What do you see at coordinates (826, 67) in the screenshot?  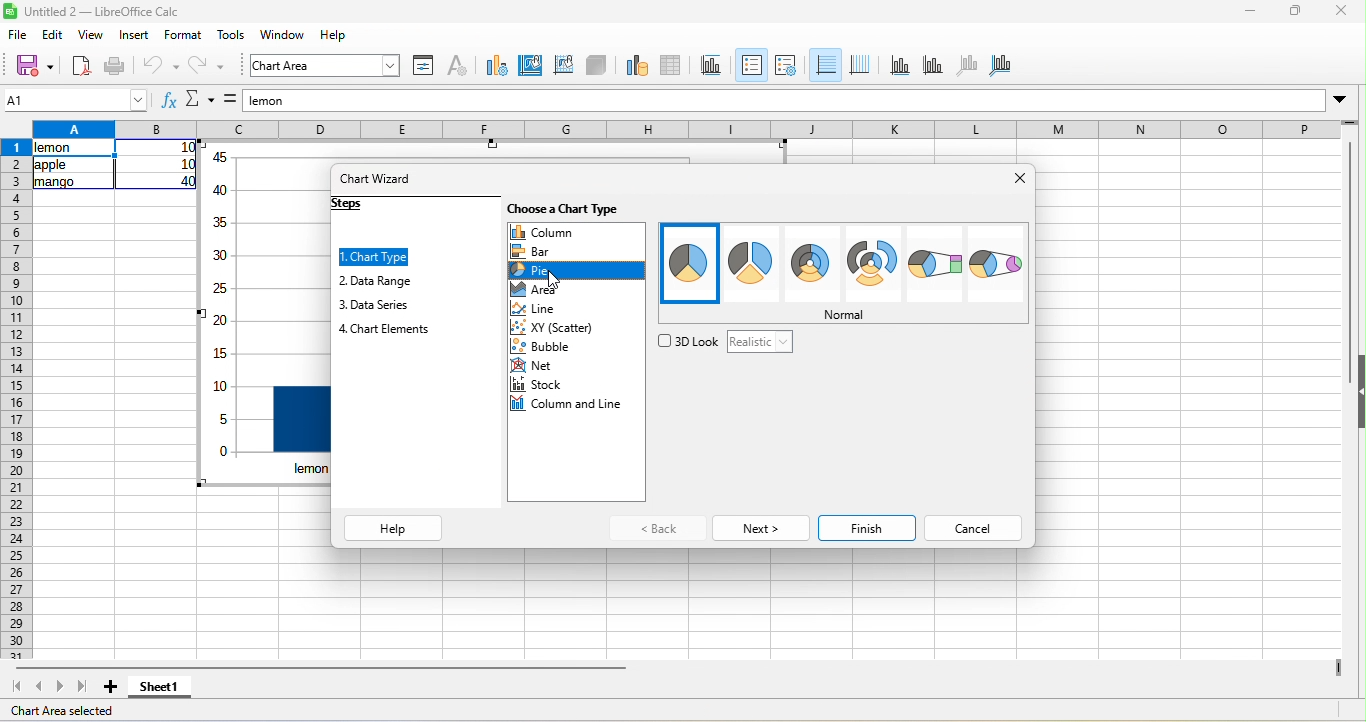 I see `horizontal grid` at bounding box center [826, 67].